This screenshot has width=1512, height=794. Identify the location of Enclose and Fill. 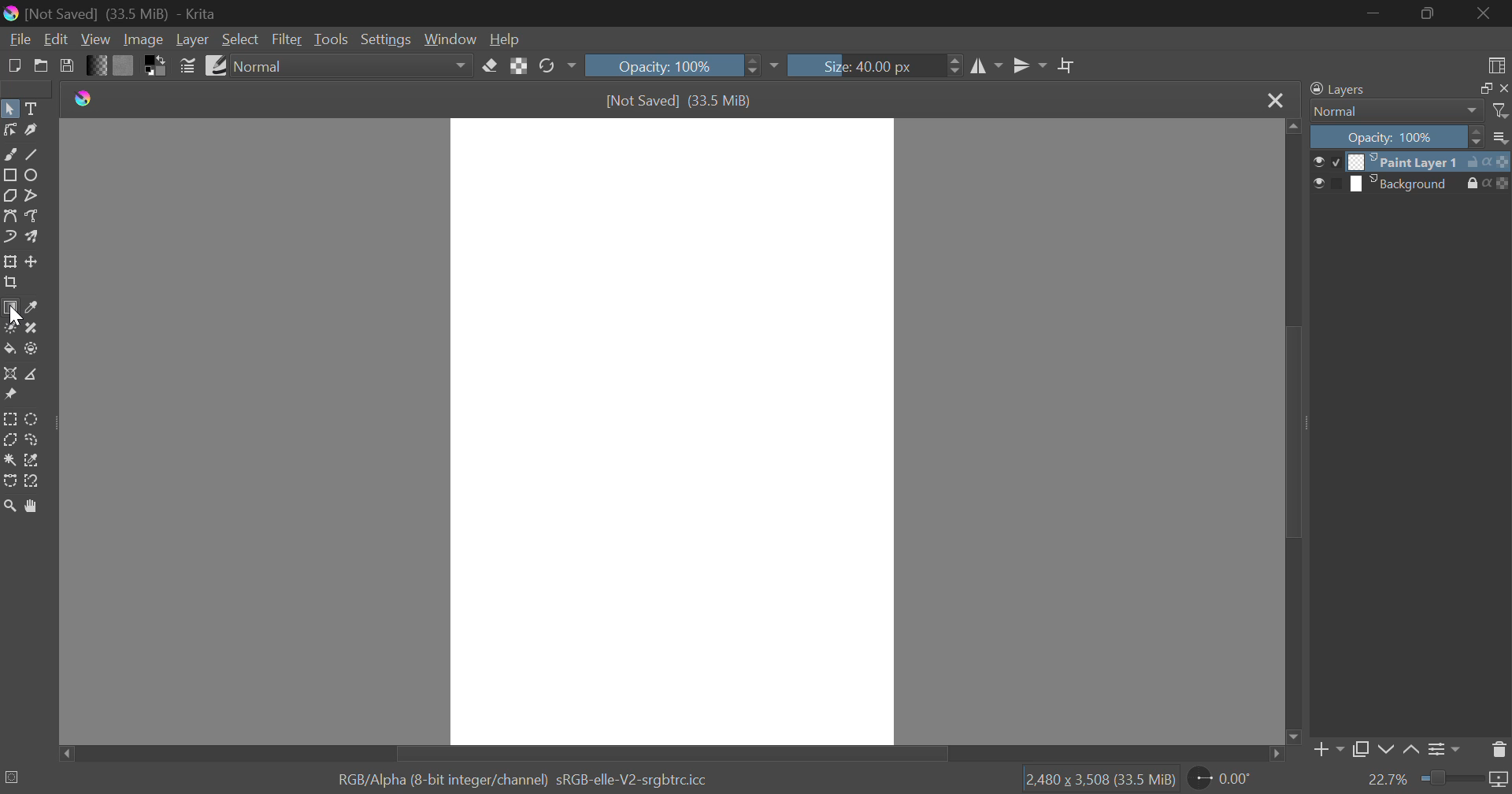
(30, 349).